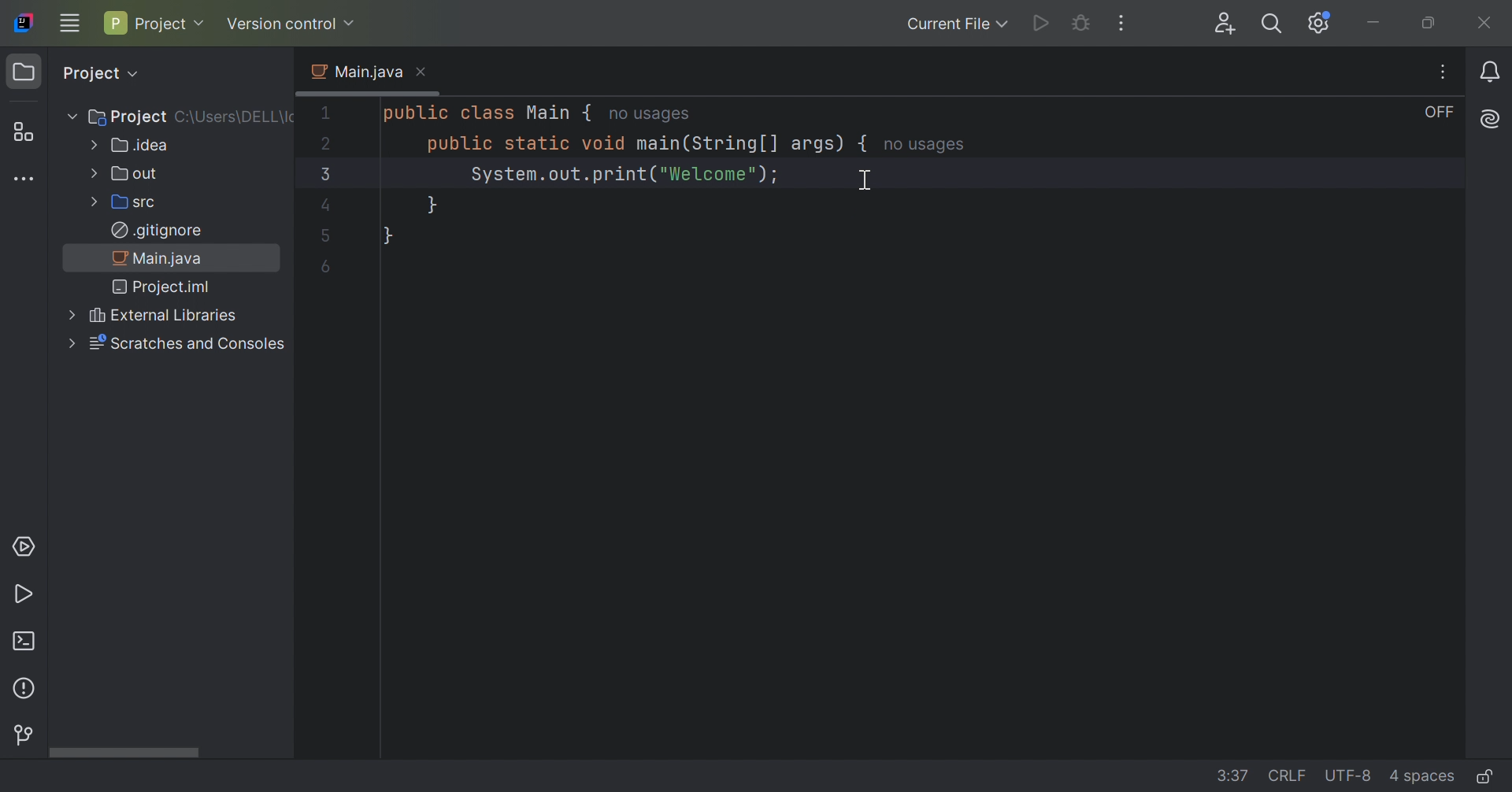 The height and width of the screenshot is (792, 1512). Describe the element at coordinates (623, 176) in the screenshot. I see `System.out.print("Welcome");` at that location.